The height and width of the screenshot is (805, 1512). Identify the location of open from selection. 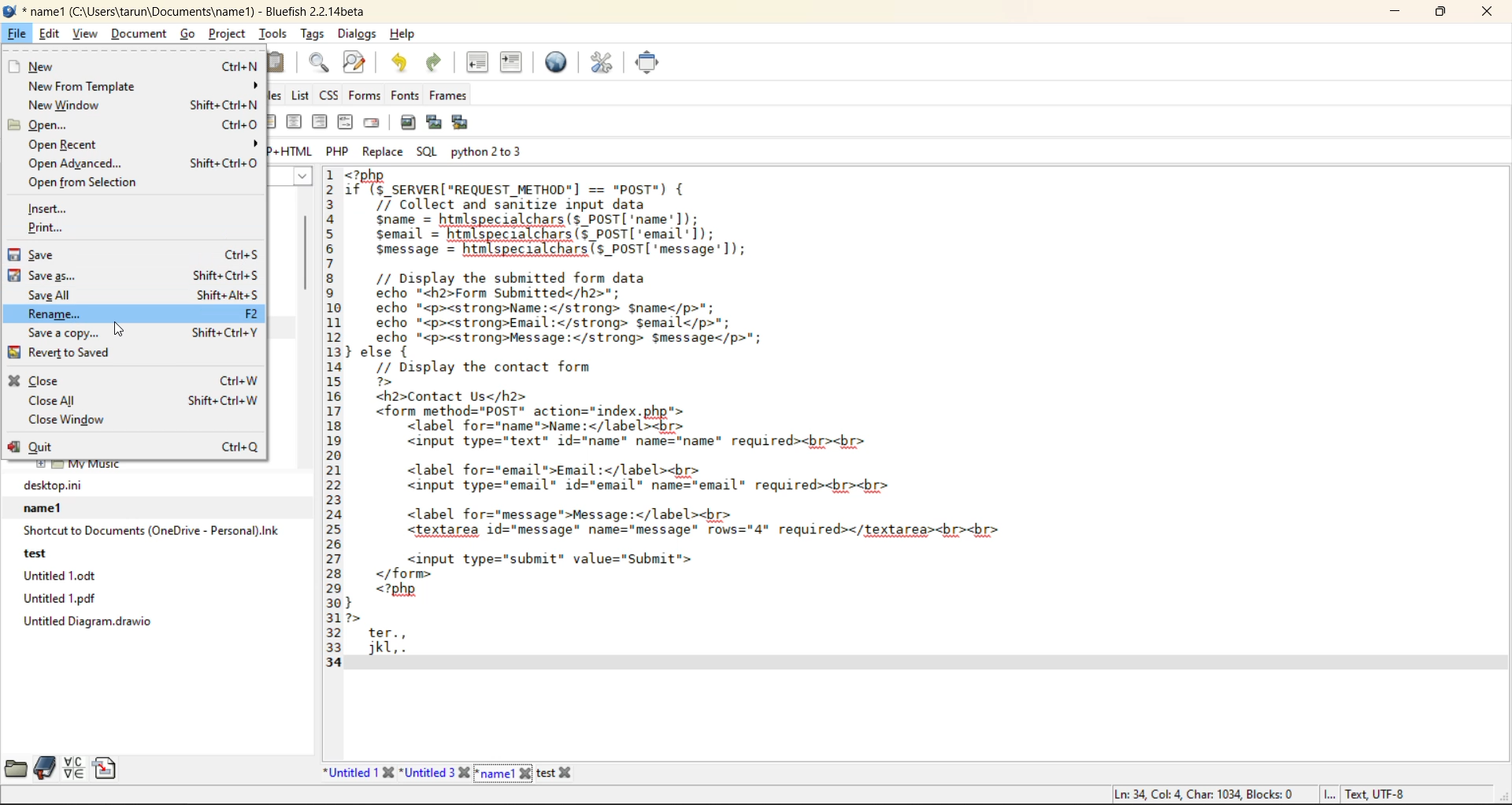
(88, 182).